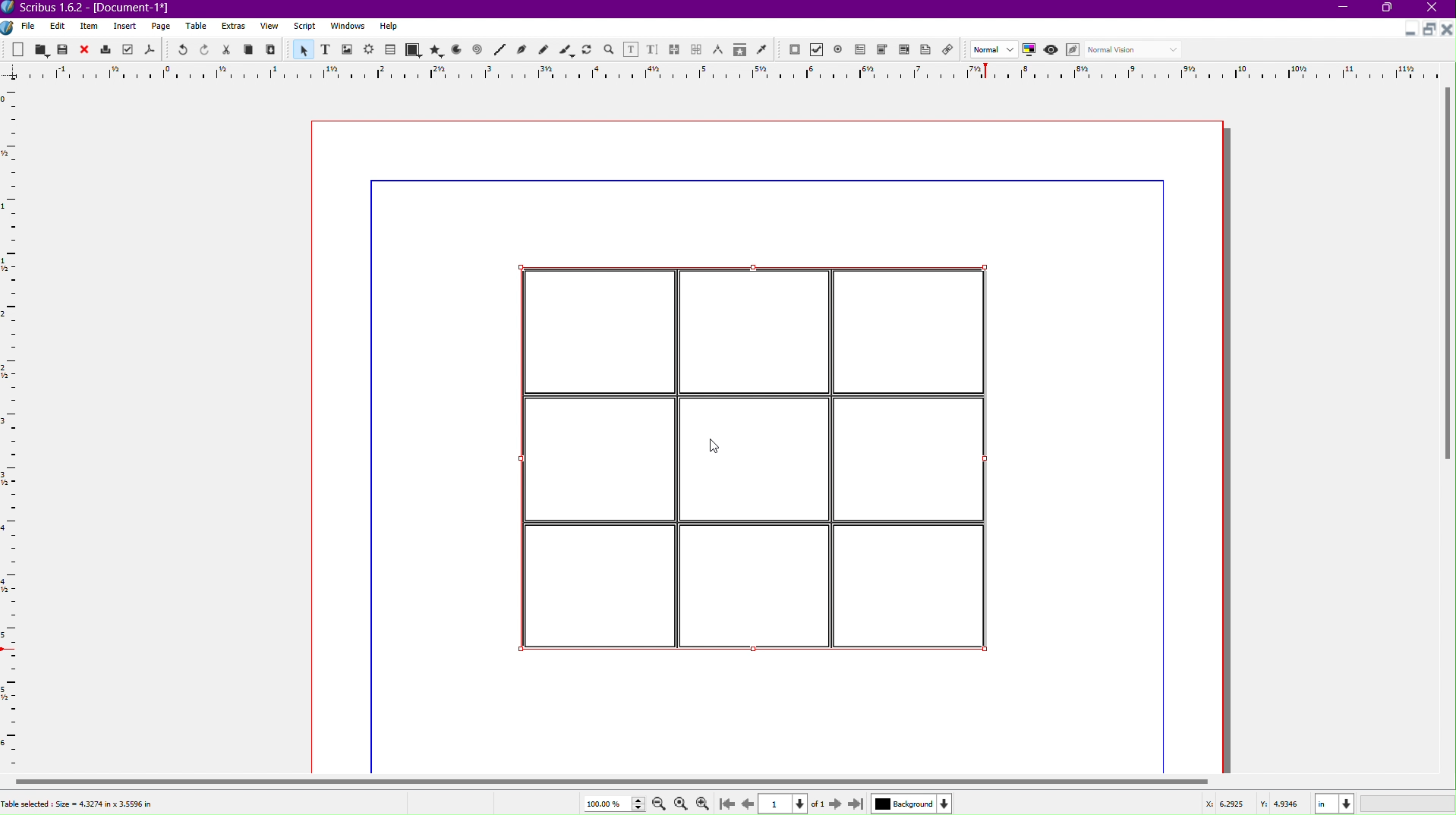  What do you see at coordinates (720, 49) in the screenshot?
I see `Measurements` at bounding box center [720, 49].